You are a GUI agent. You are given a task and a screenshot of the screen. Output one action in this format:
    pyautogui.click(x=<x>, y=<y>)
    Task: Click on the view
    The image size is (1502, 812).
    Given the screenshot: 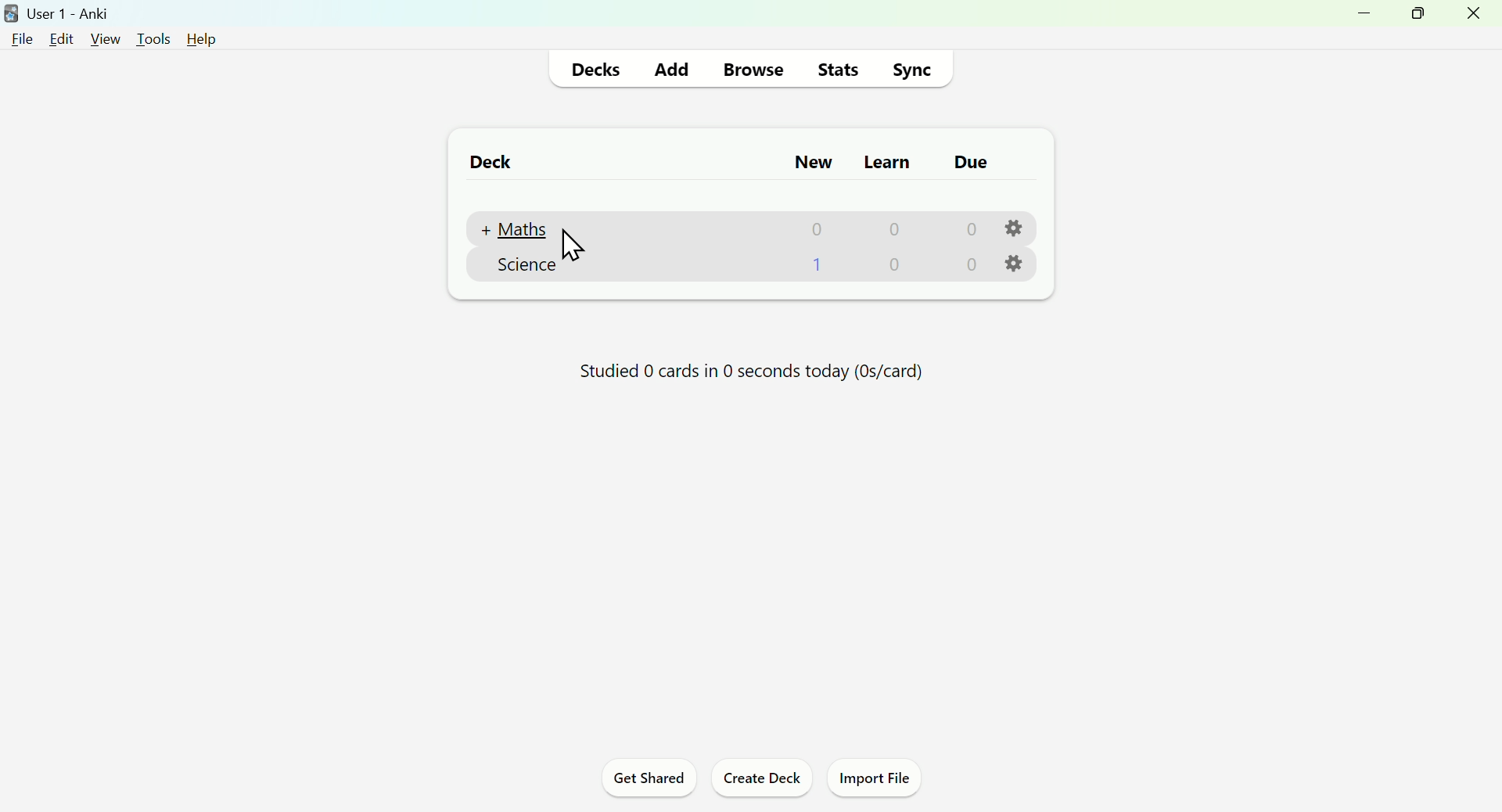 What is the action you would take?
    pyautogui.click(x=104, y=39)
    